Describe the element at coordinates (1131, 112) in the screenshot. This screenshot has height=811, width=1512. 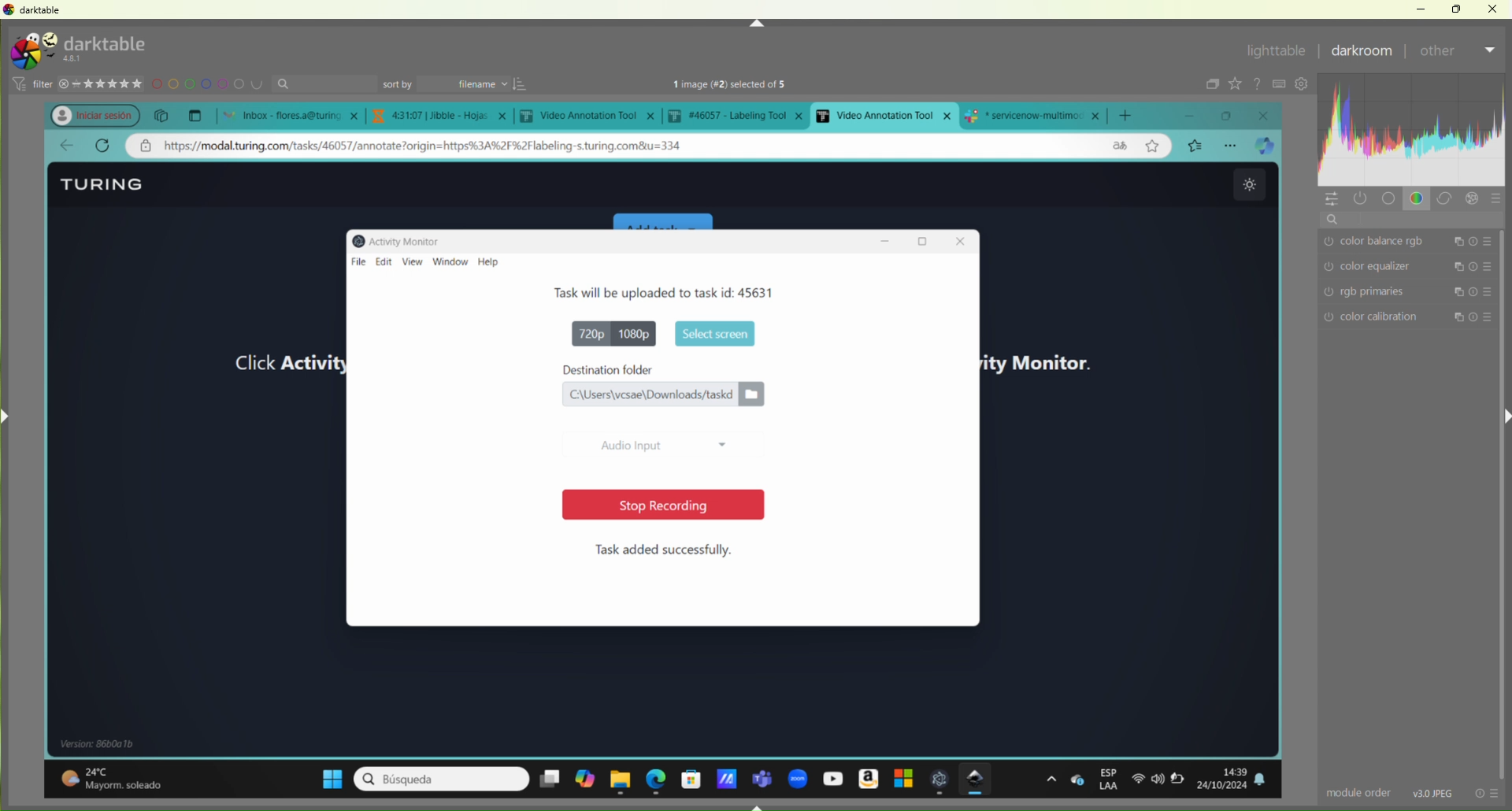
I see `add new tab` at that location.